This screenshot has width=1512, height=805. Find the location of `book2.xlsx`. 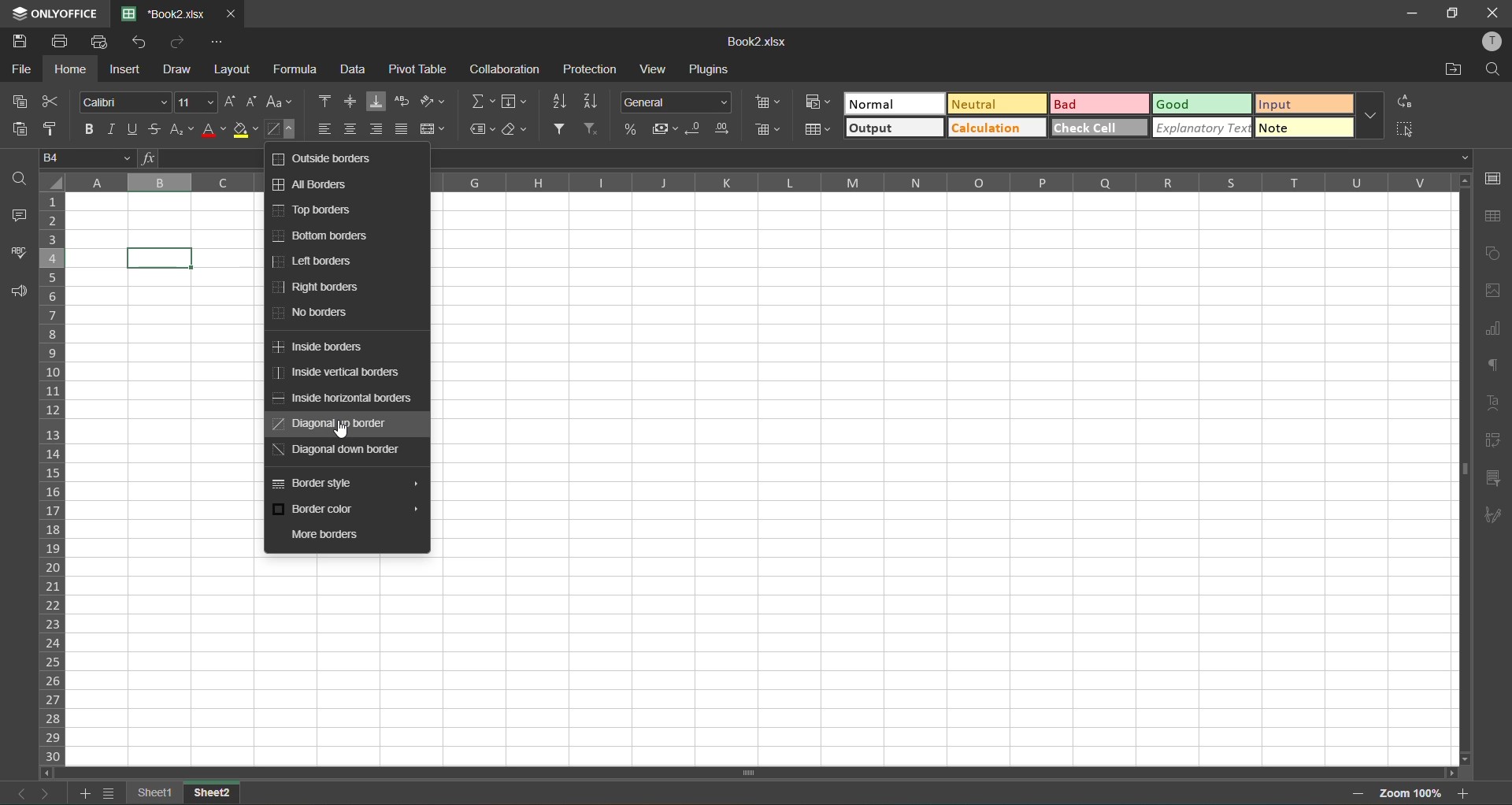

book2.xlsx is located at coordinates (762, 43).